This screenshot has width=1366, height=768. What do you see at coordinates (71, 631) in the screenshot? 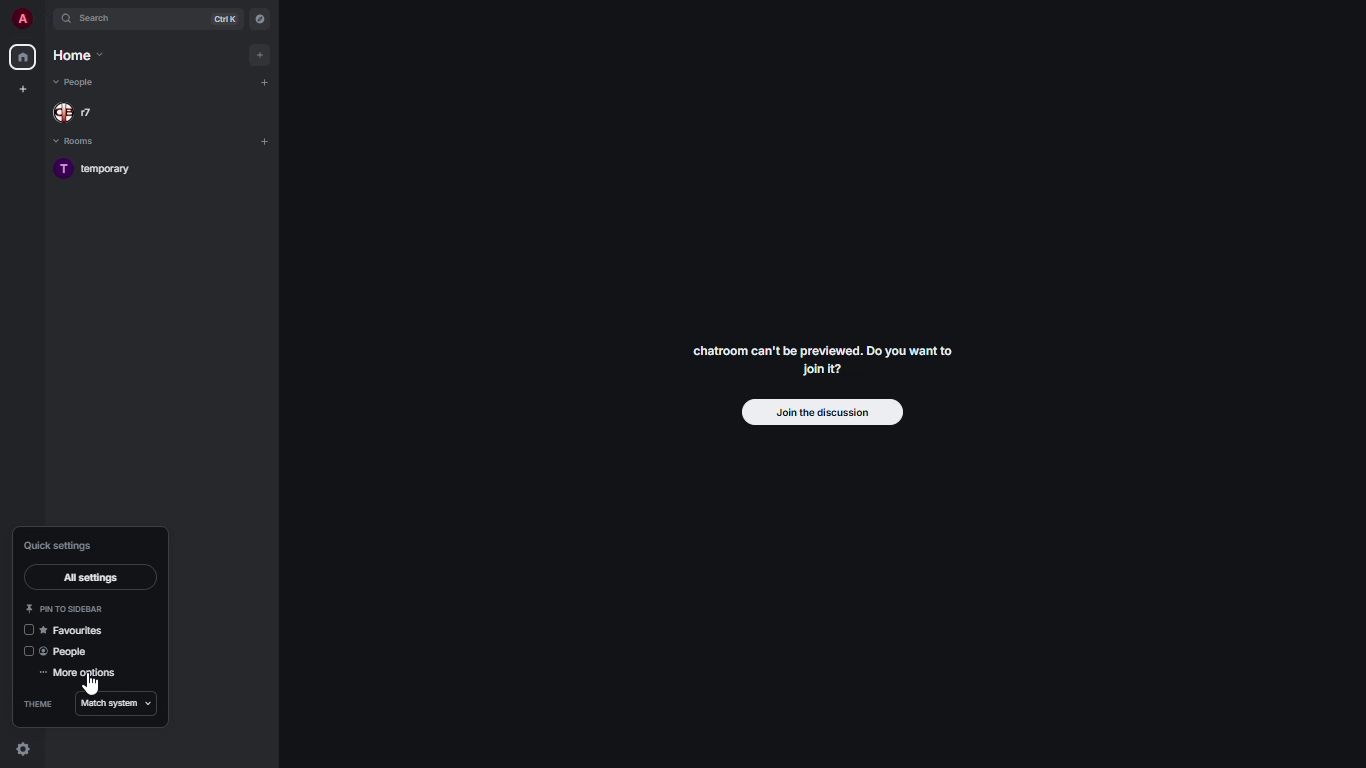
I see `favorites` at bounding box center [71, 631].